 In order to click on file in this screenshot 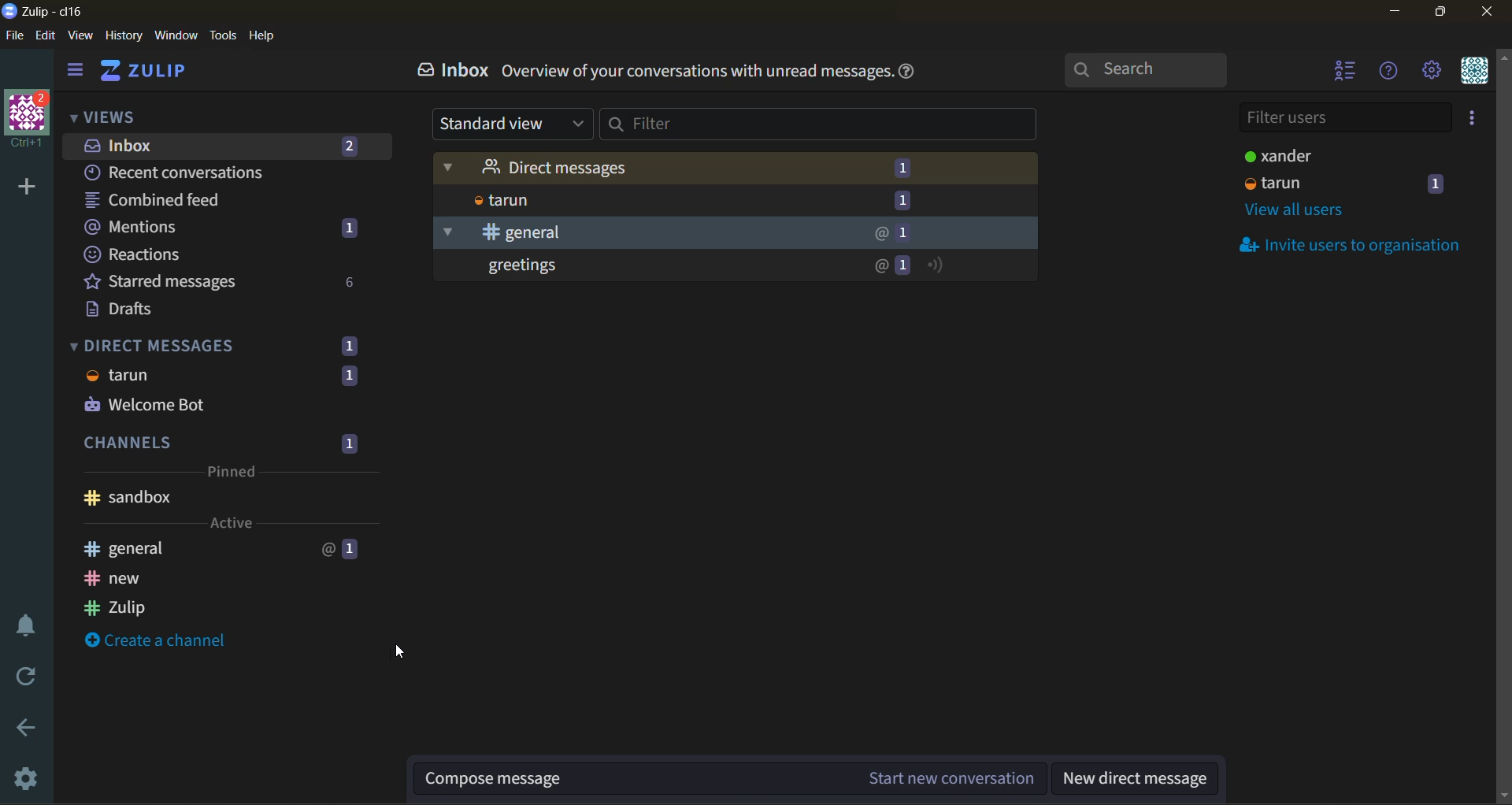, I will do `click(15, 36)`.